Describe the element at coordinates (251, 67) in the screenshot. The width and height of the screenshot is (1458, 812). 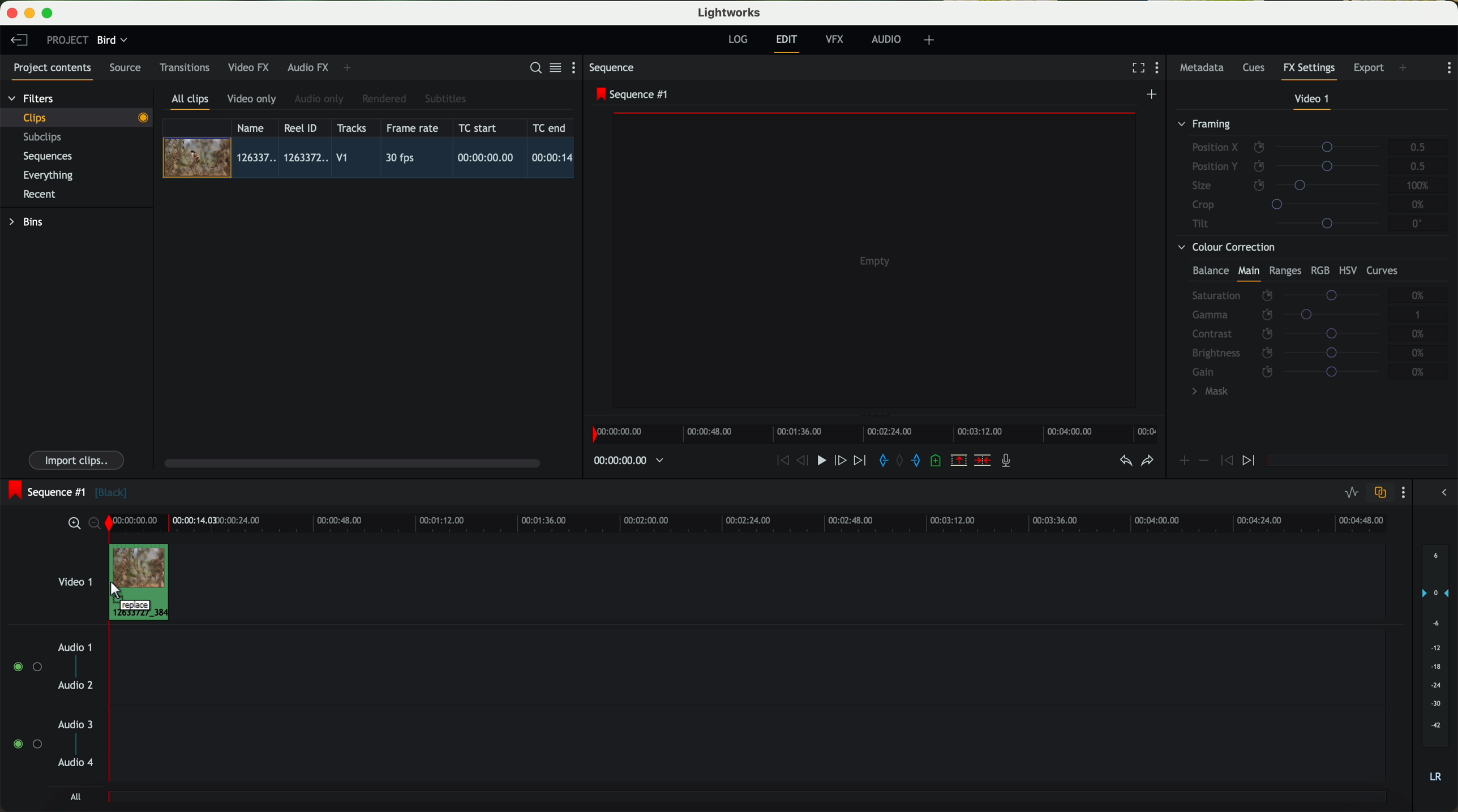
I see `video FX` at that location.